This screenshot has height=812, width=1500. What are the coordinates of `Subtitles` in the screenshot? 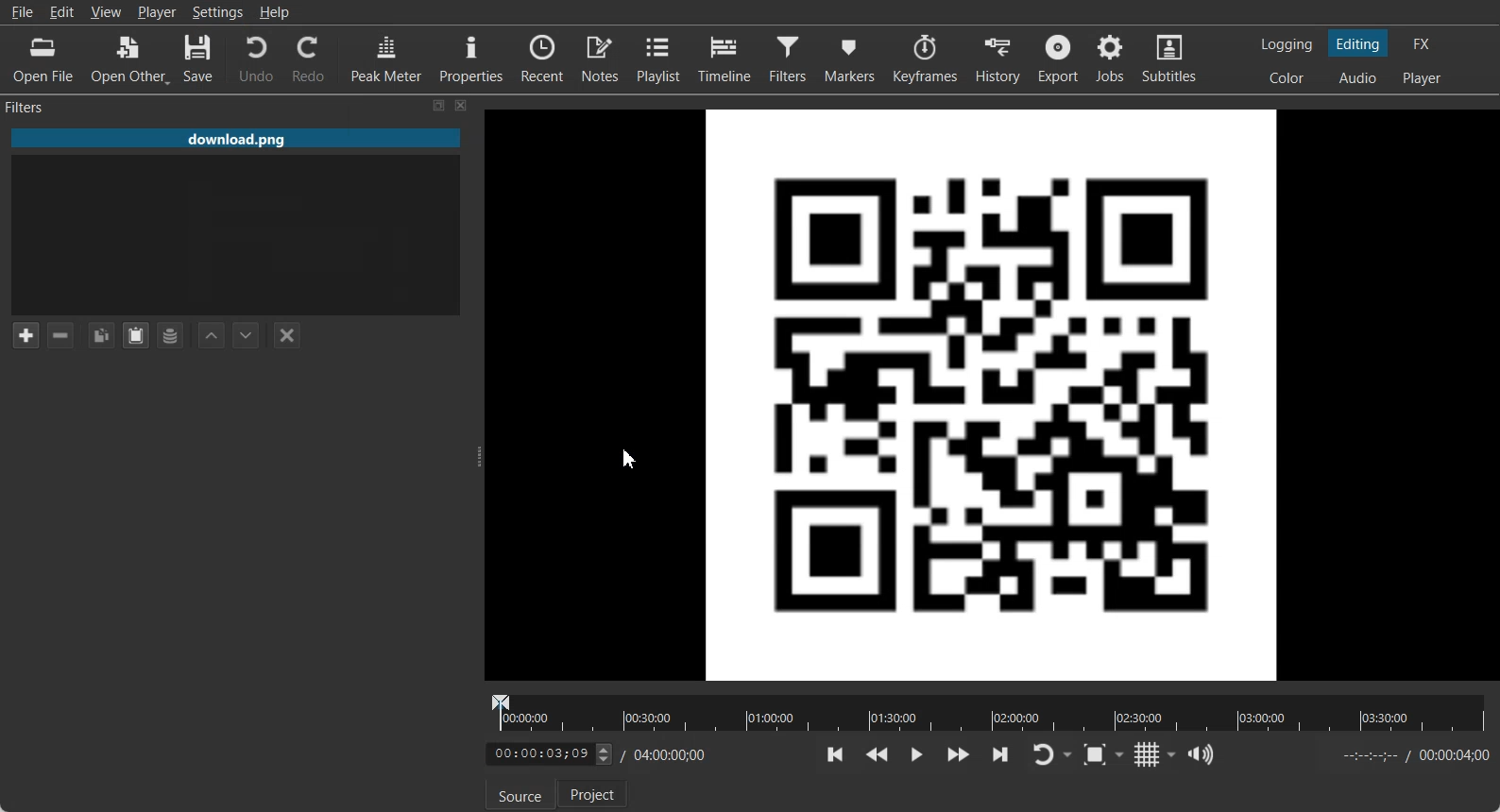 It's located at (1171, 59).